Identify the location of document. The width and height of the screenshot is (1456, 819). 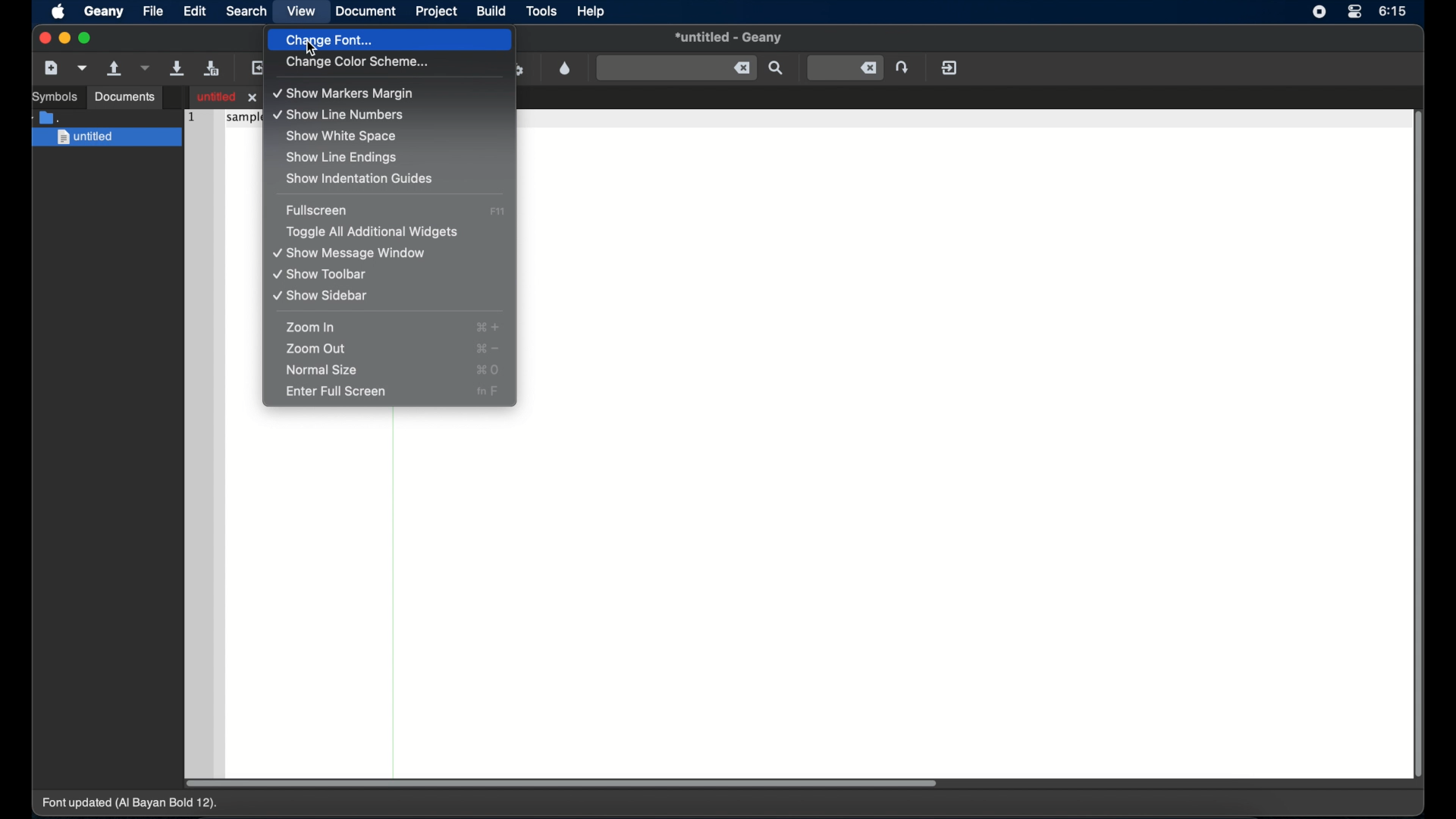
(366, 11).